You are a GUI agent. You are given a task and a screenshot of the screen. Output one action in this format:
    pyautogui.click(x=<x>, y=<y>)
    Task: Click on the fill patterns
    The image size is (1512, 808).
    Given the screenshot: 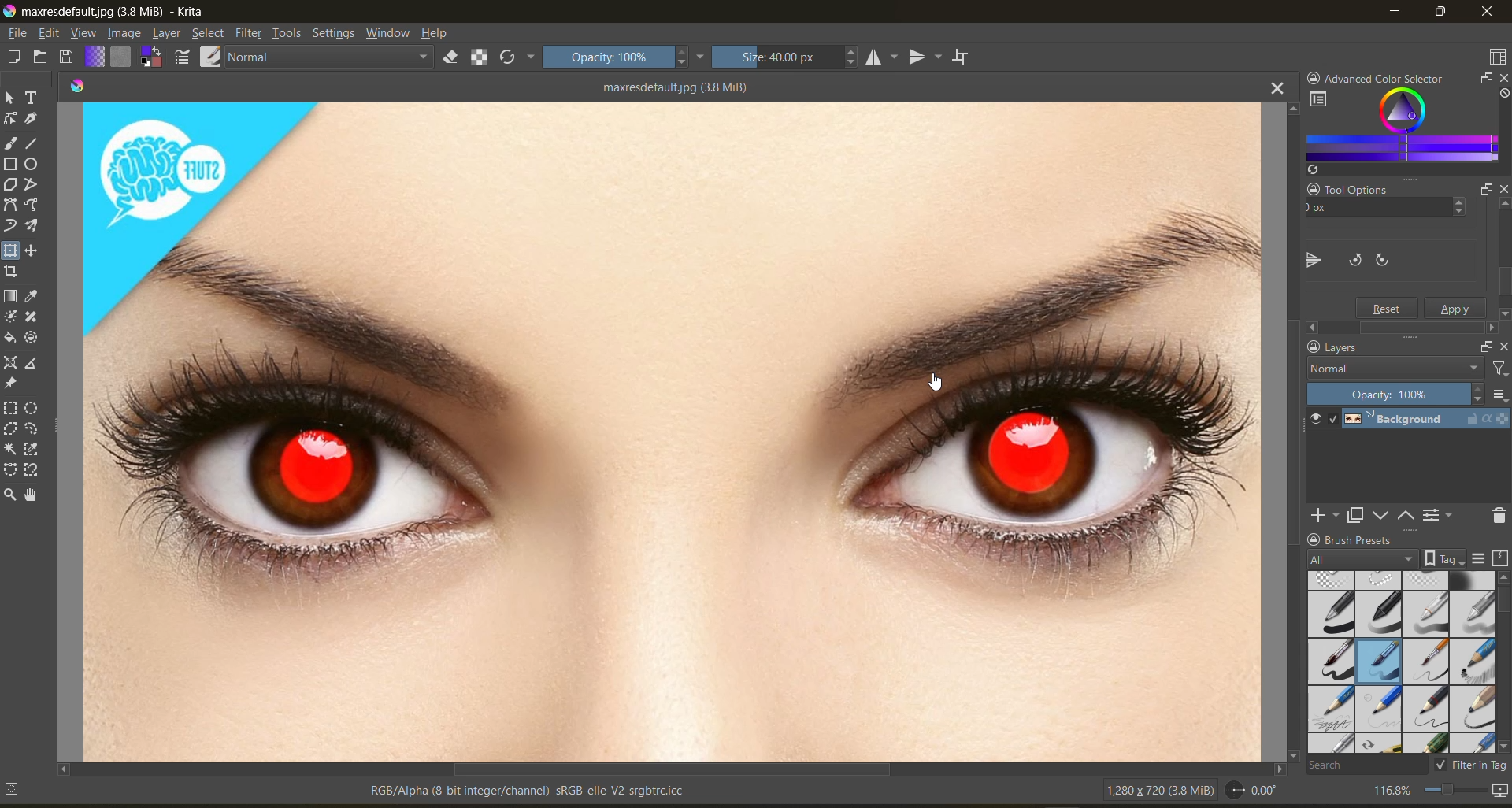 What is the action you would take?
    pyautogui.click(x=123, y=57)
    